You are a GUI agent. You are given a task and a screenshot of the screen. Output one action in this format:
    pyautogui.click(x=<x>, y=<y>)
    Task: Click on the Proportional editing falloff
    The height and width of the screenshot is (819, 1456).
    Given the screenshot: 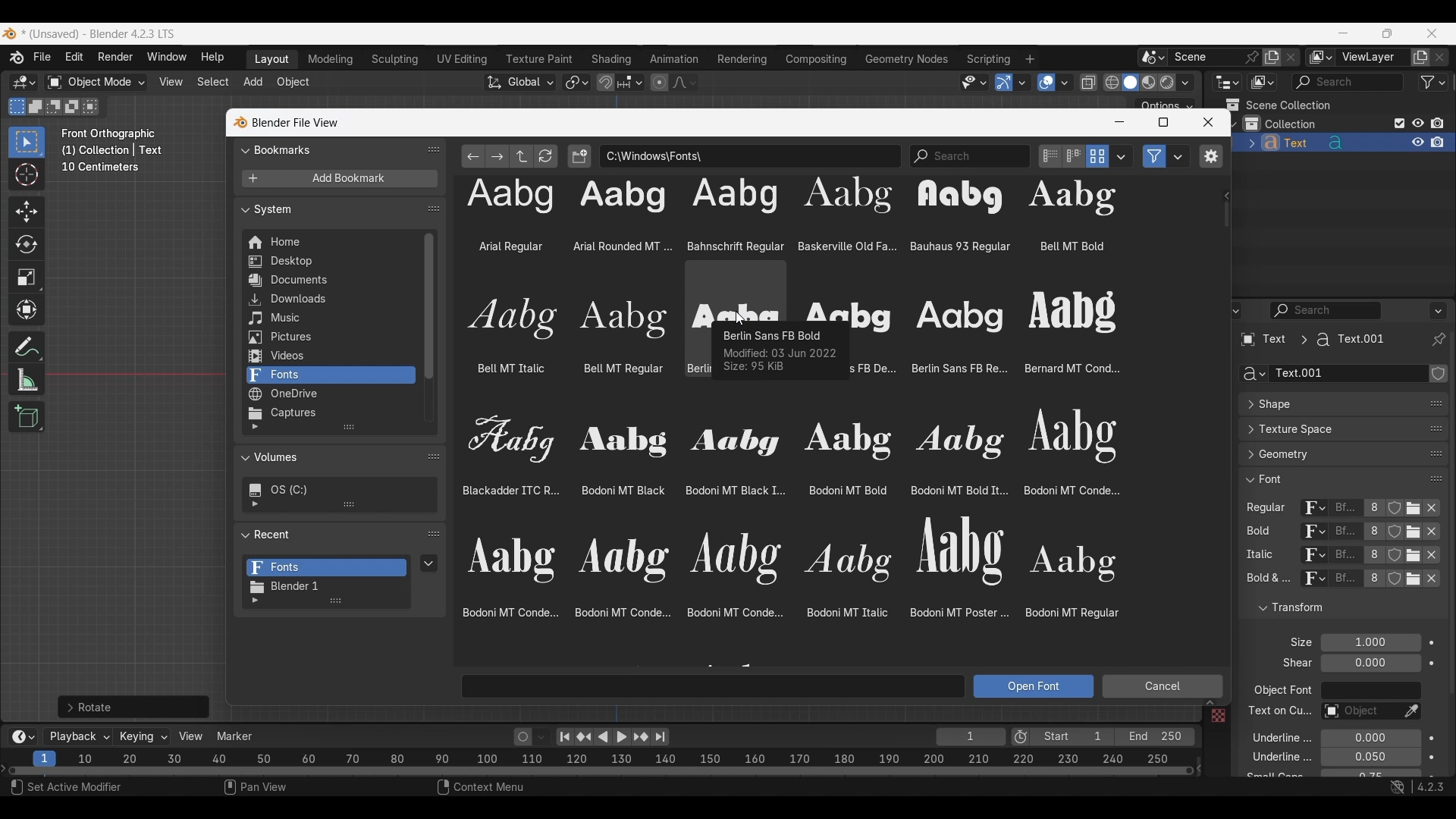 What is the action you would take?
    pyautogui.click(x=685, y=82)
    